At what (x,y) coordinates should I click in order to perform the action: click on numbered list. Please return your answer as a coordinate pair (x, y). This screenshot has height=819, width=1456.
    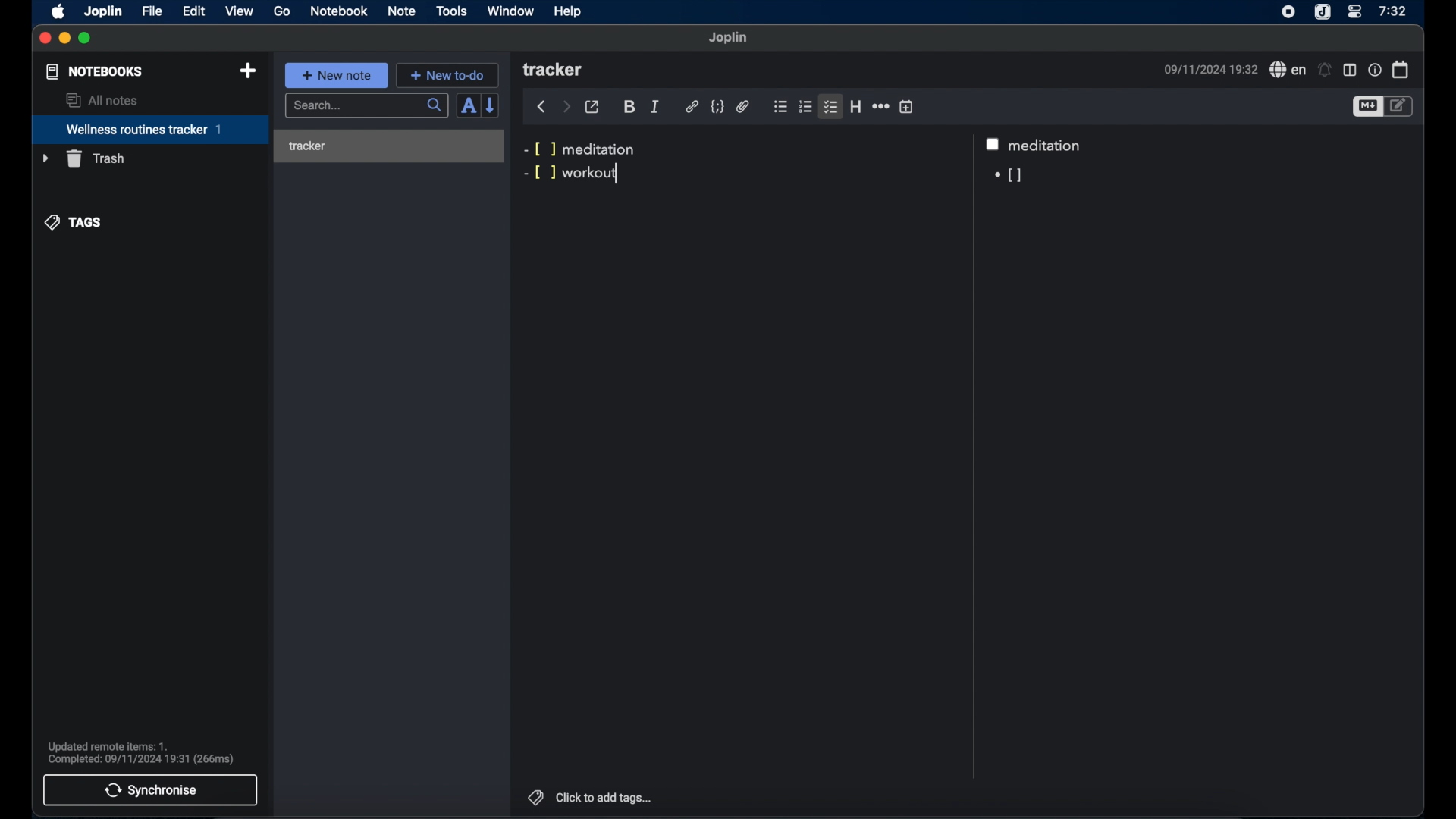
    Looking at the image, I should click on (806, 107).